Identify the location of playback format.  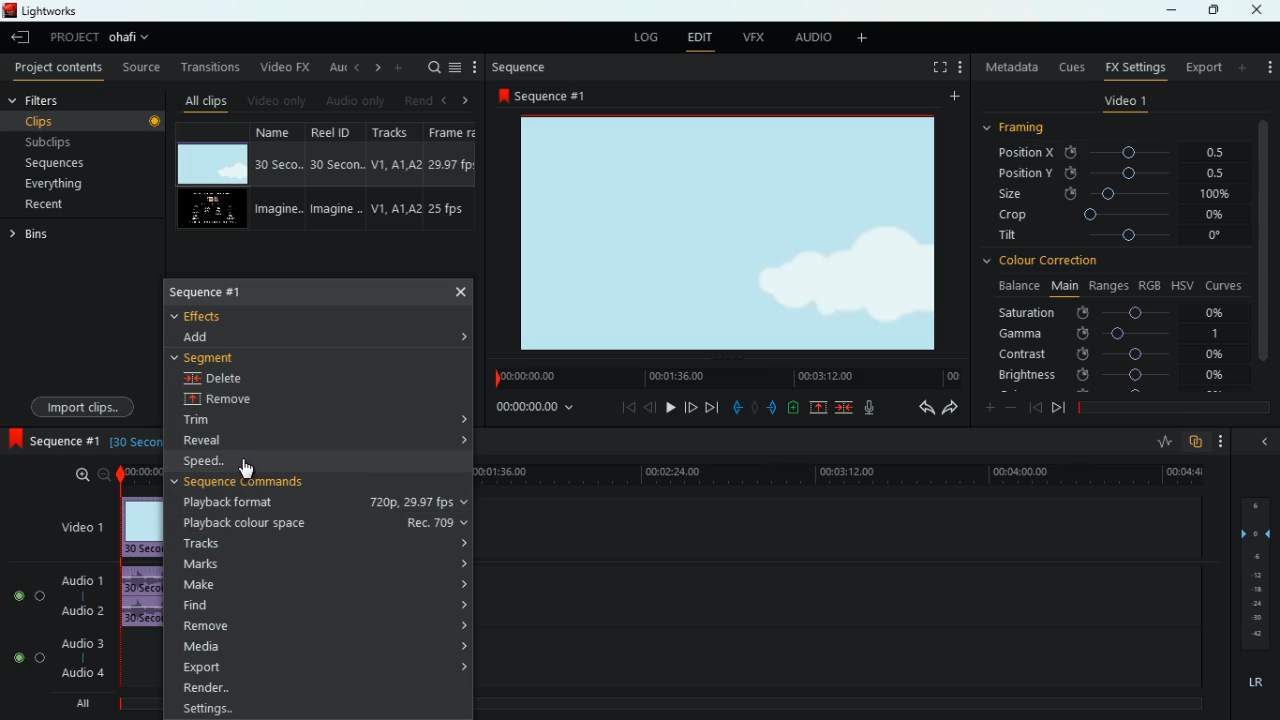
(328, 502).